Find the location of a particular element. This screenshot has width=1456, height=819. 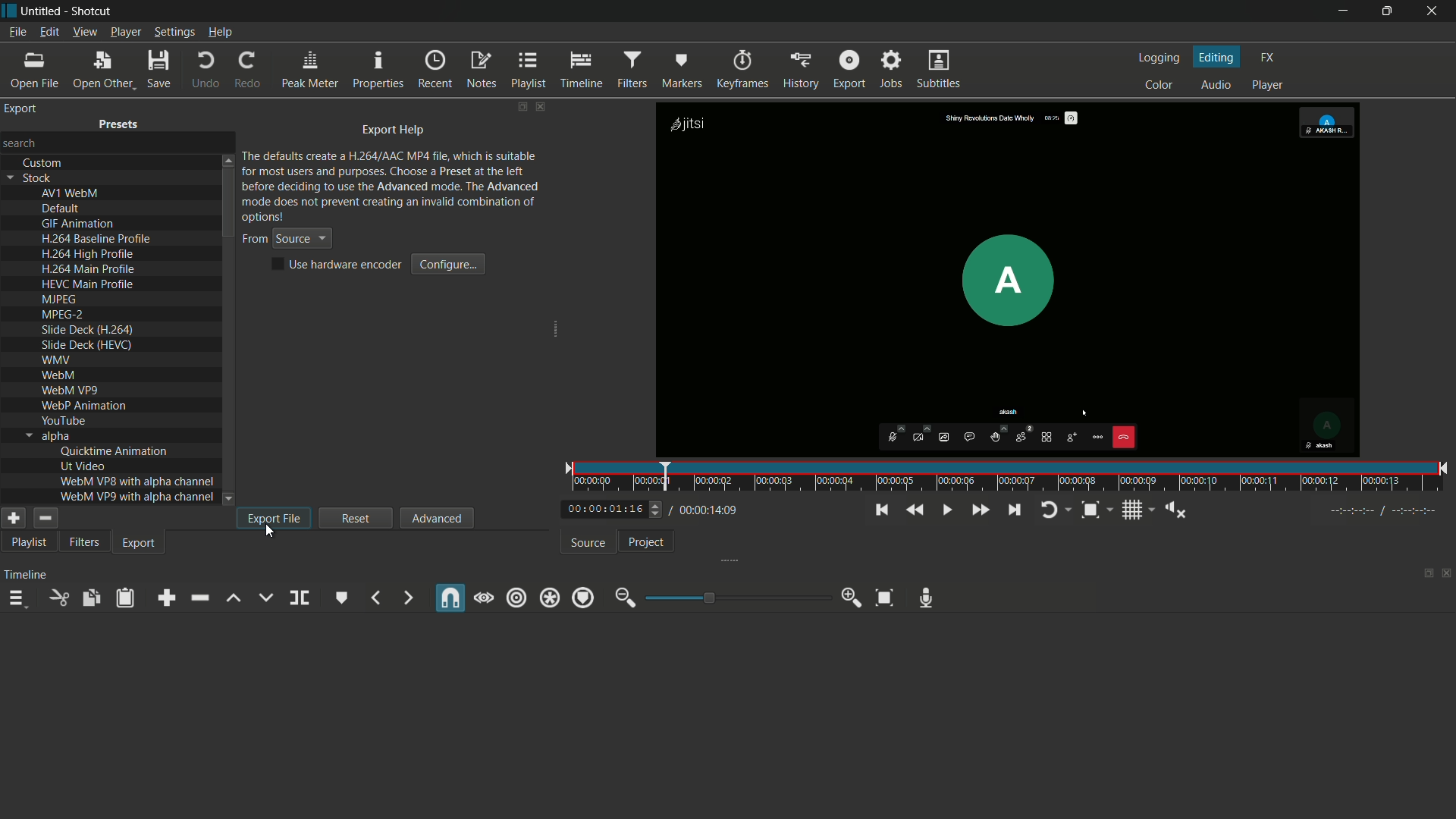

minimize is located at coordinates (1340, 11).